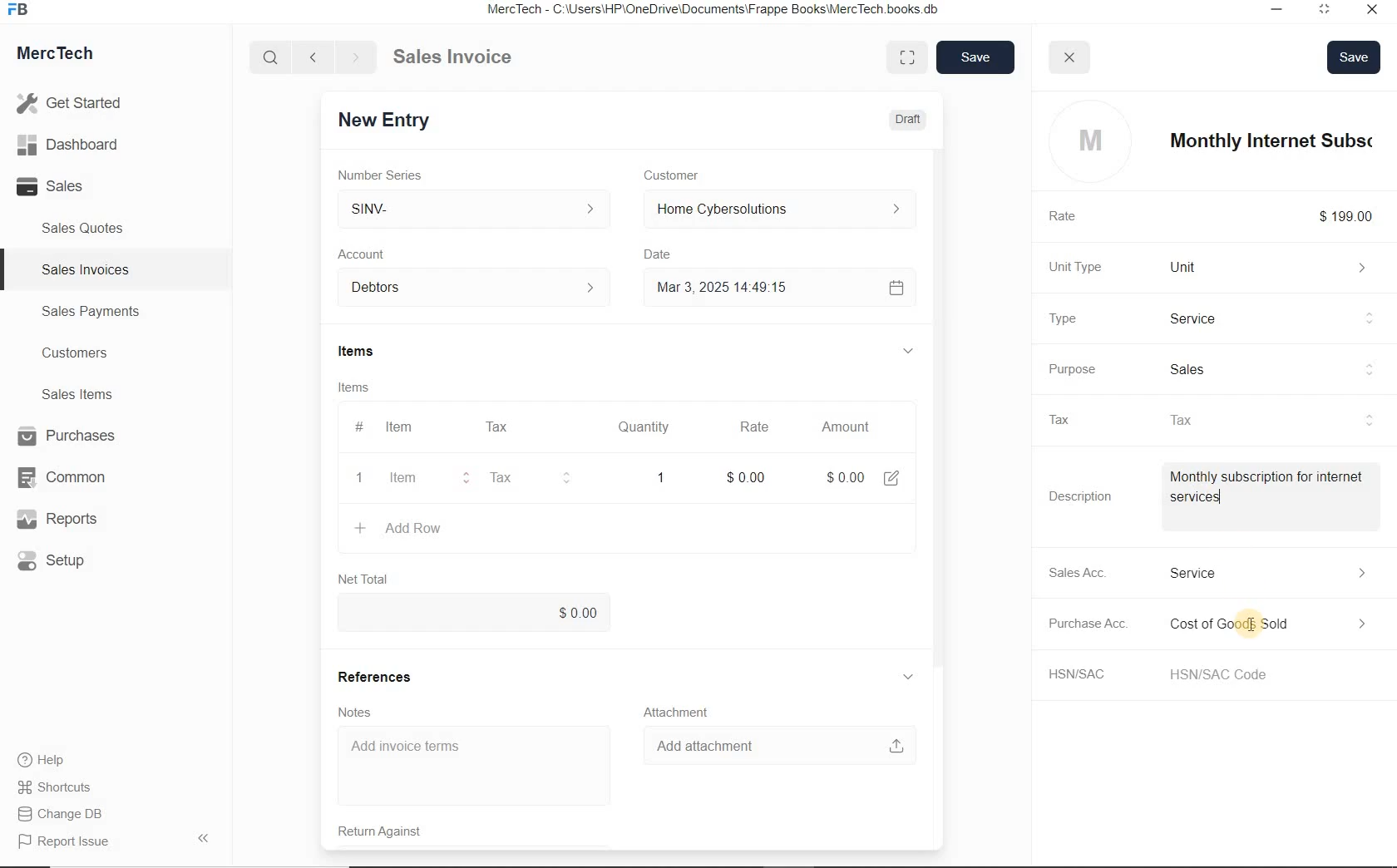  I want to click on Get Started, so click(75, 103).